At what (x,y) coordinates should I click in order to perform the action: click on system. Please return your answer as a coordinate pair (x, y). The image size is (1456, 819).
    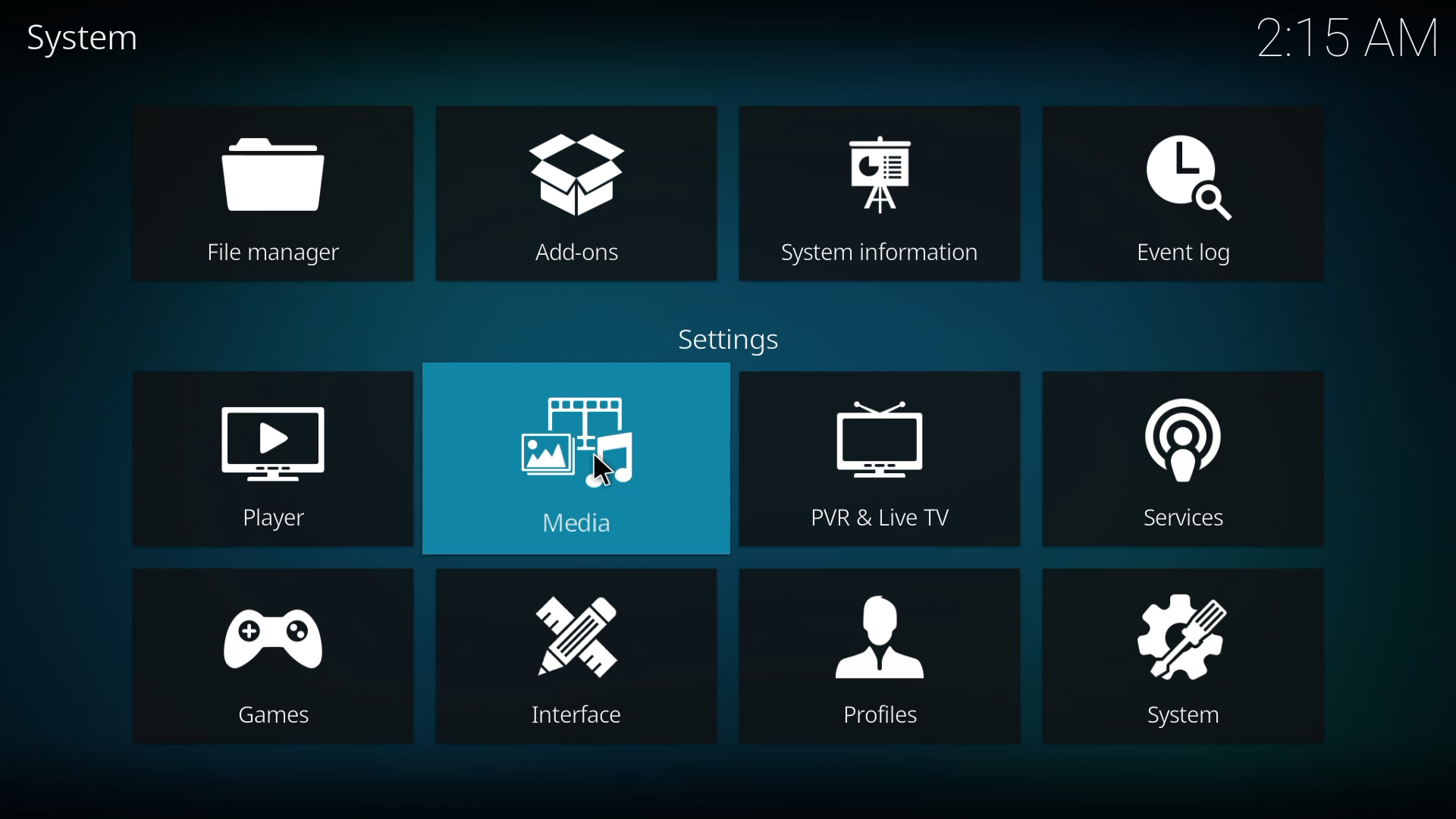
    Looking at the image, I should click on (1183, 653).